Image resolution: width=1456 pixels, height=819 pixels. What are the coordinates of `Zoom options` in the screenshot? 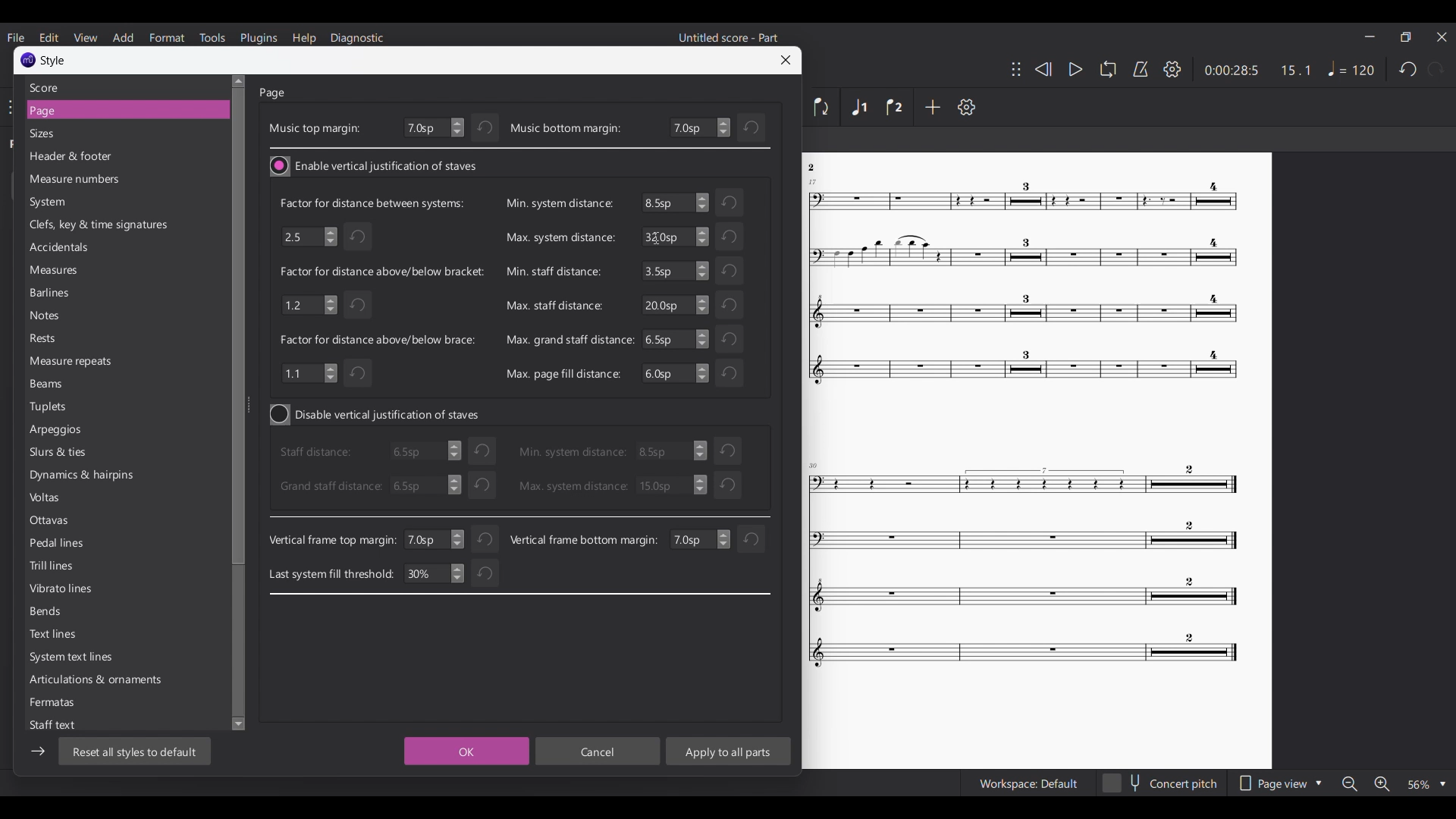 It's located at (1427, 784).